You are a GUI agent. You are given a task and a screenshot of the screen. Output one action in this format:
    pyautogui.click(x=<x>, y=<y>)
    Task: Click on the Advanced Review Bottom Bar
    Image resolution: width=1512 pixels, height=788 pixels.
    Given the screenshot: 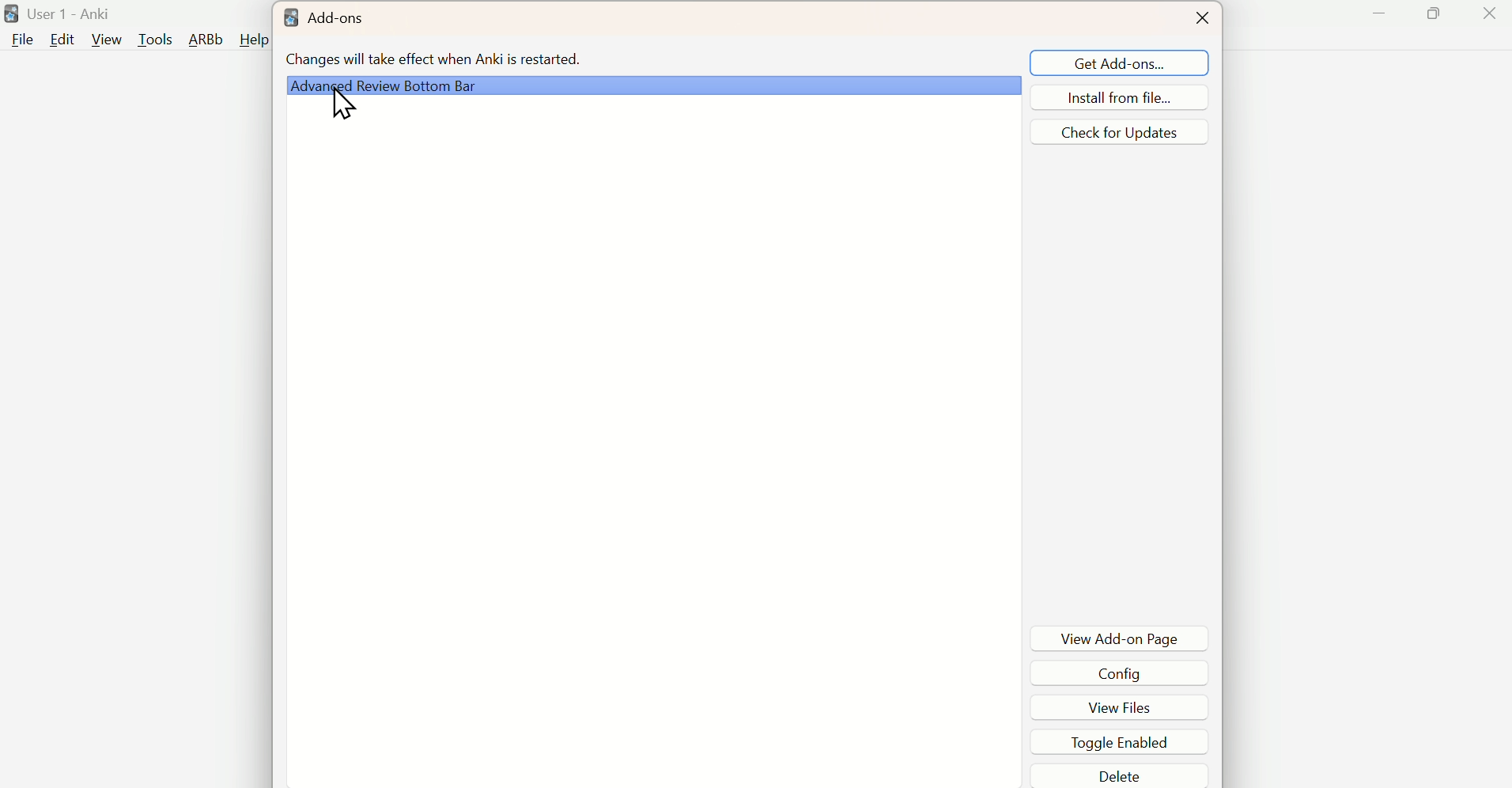 What is the action you would take?
    pyautogui.click(x=652, y=81)
    